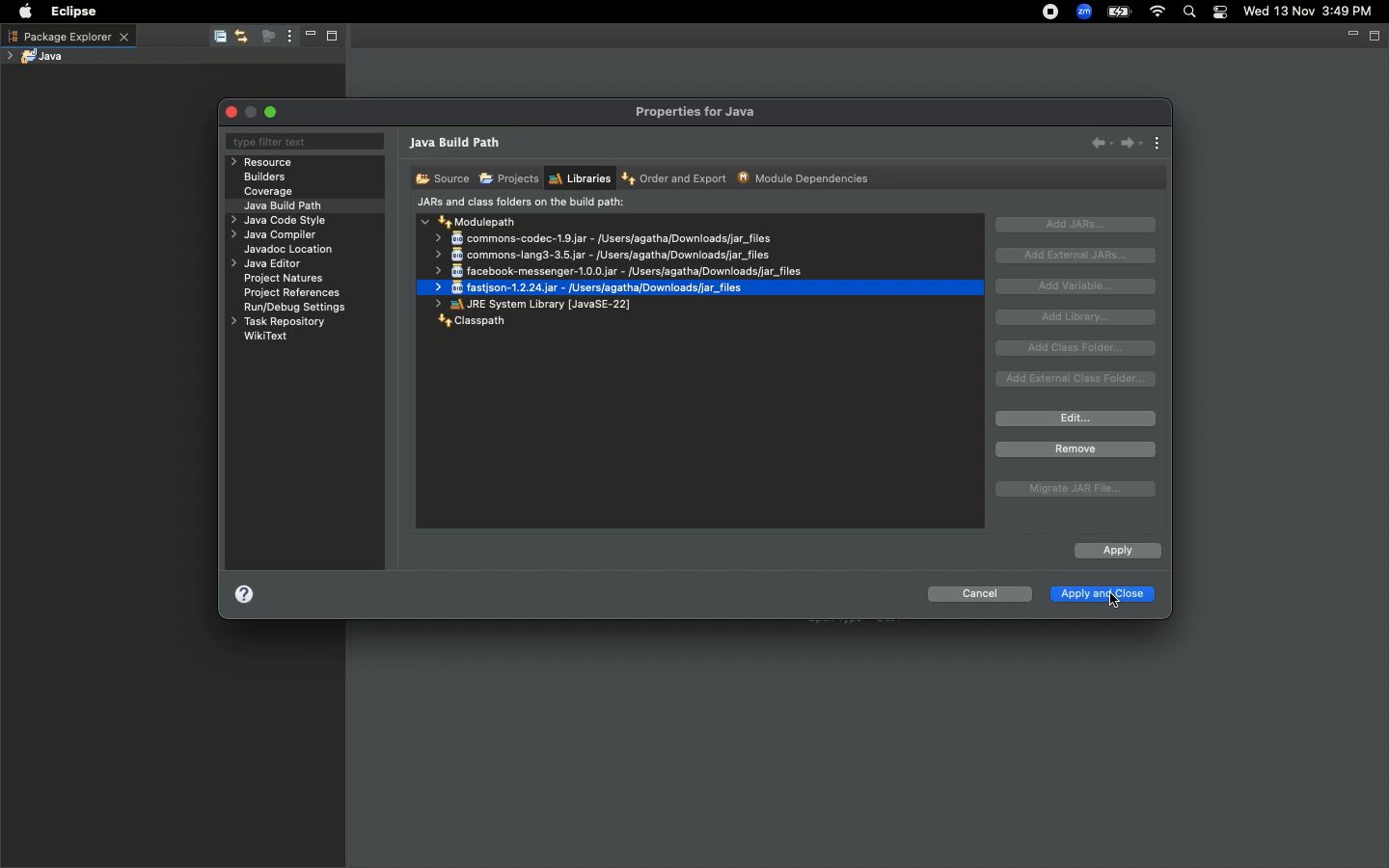 This screenshot has height=868, width=1389. Describe the element at coordinates (1076, 255) in the screenshot. I see `Add external JAR` at that location.